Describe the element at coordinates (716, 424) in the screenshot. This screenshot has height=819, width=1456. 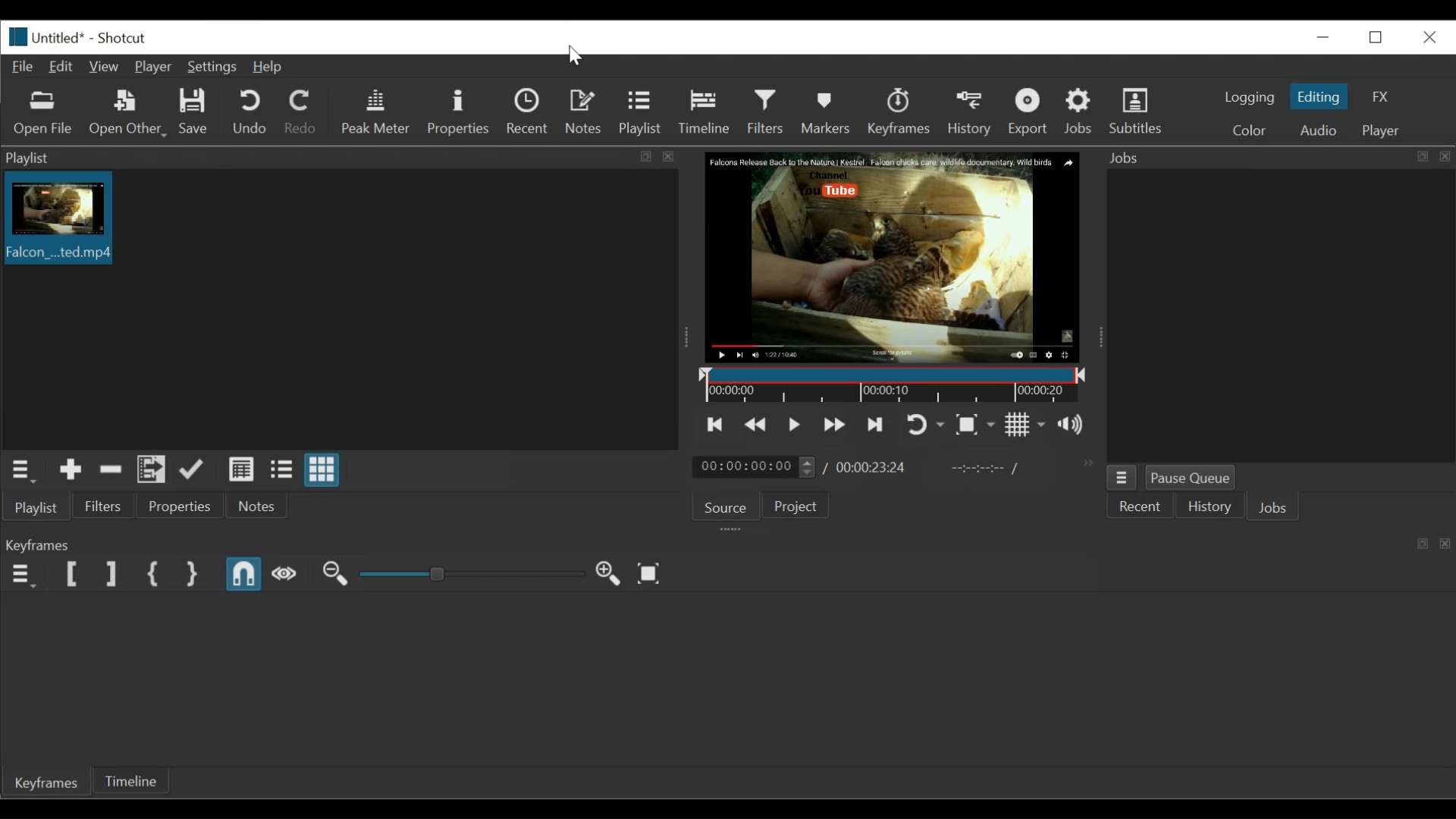
I see `Skip to the previous point` at that location.